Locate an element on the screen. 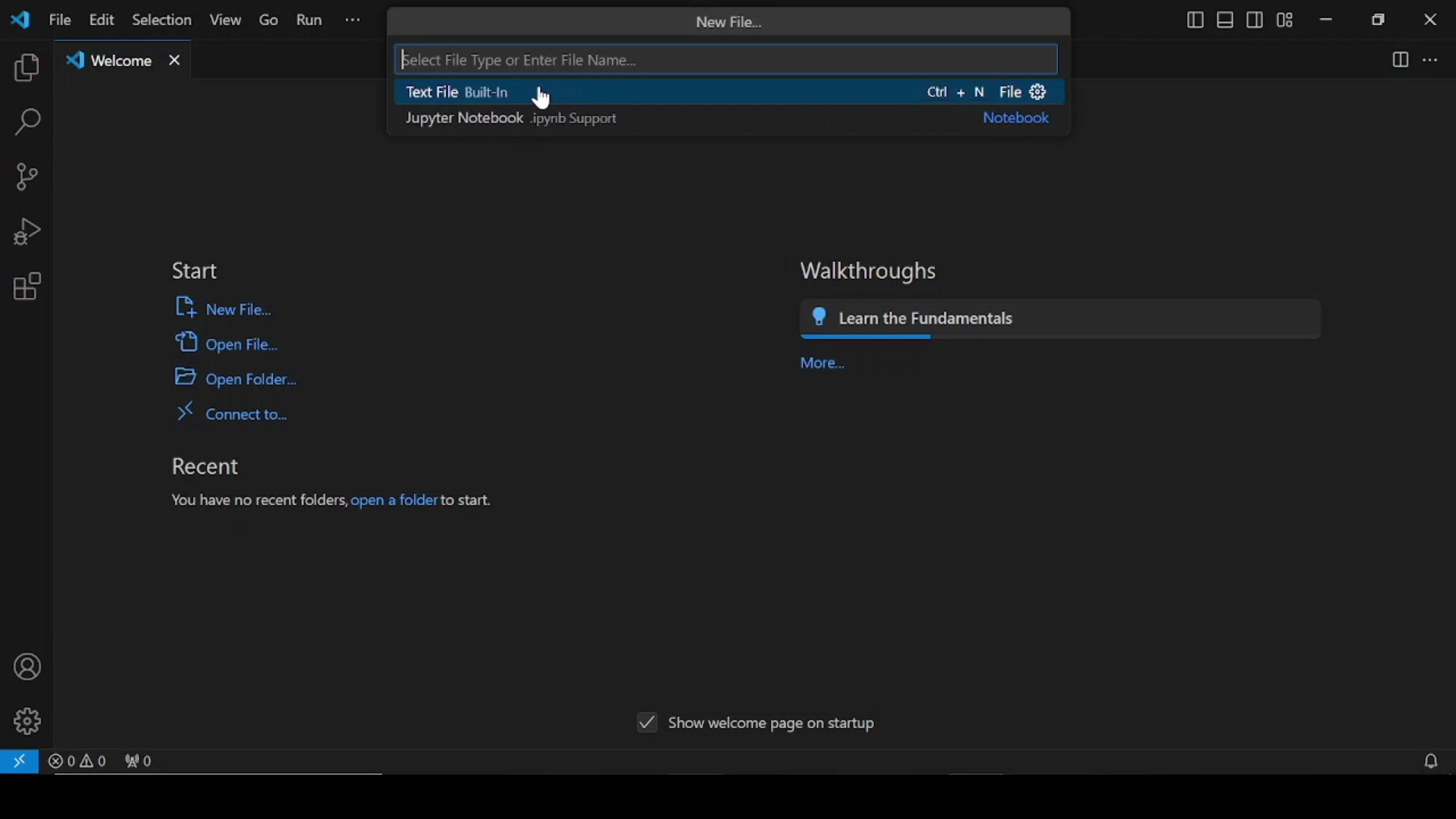 The image size is (1456, 819). view is located at coordinates (224, 20).